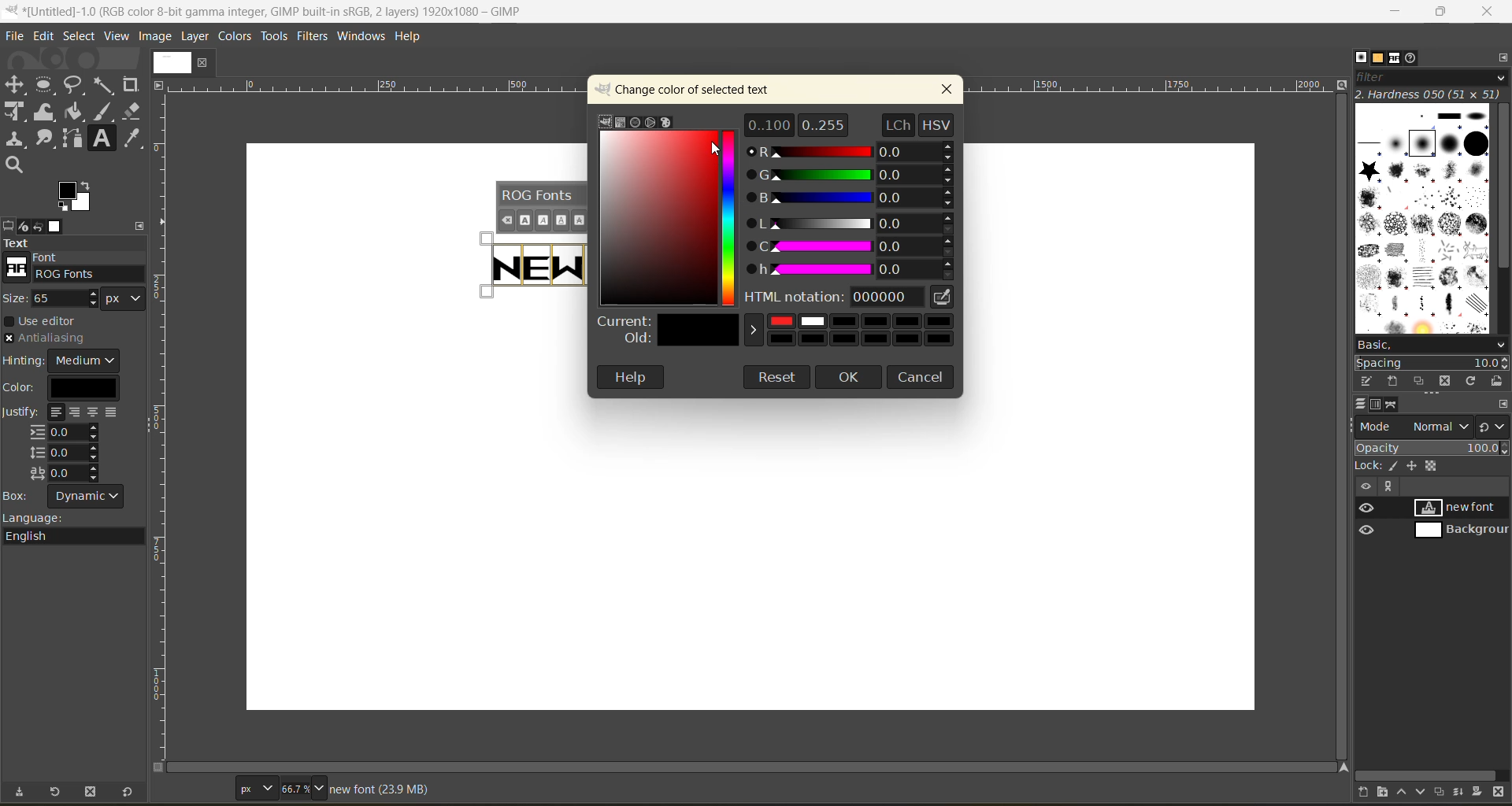 The width and height of the screenshot is (1512, 806). Describe the element at coordinates (416, 39) in the screenshot. I see `help` at that location.